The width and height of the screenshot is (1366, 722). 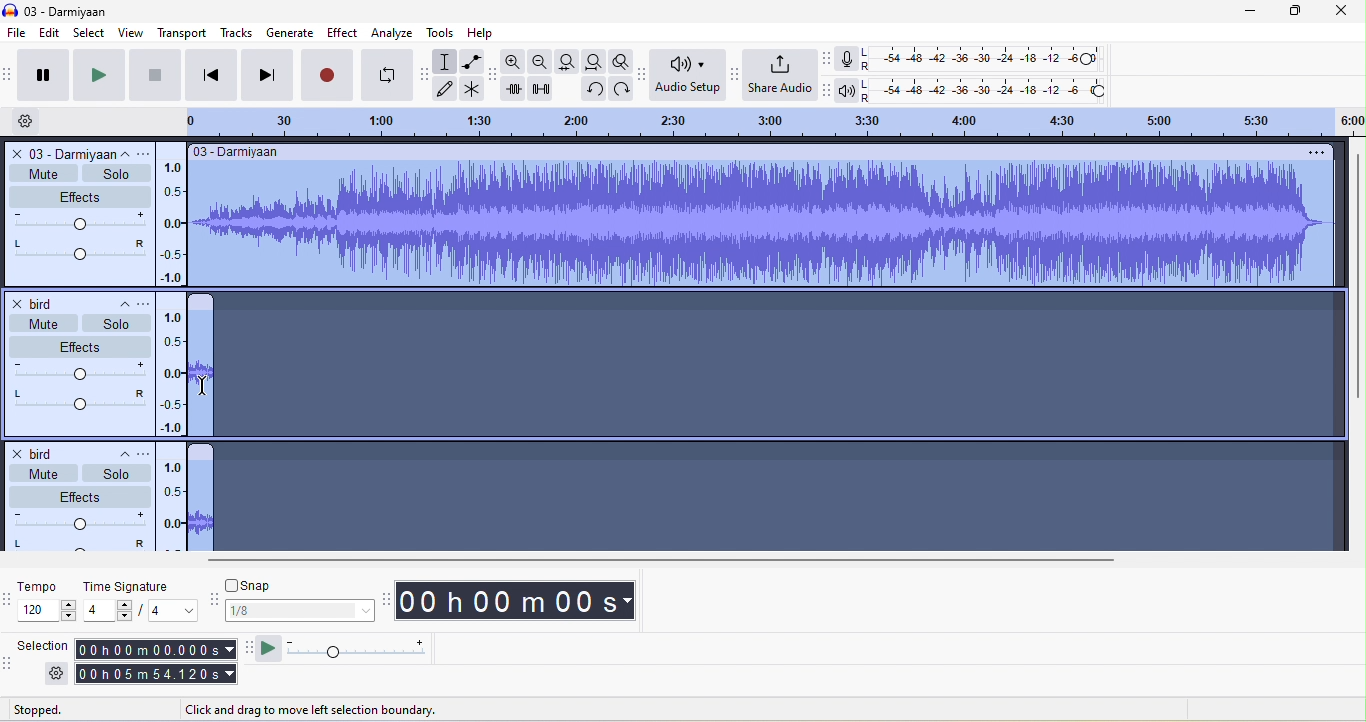 I want to click on audacity selection toolbar, so click(x=9, y=668).